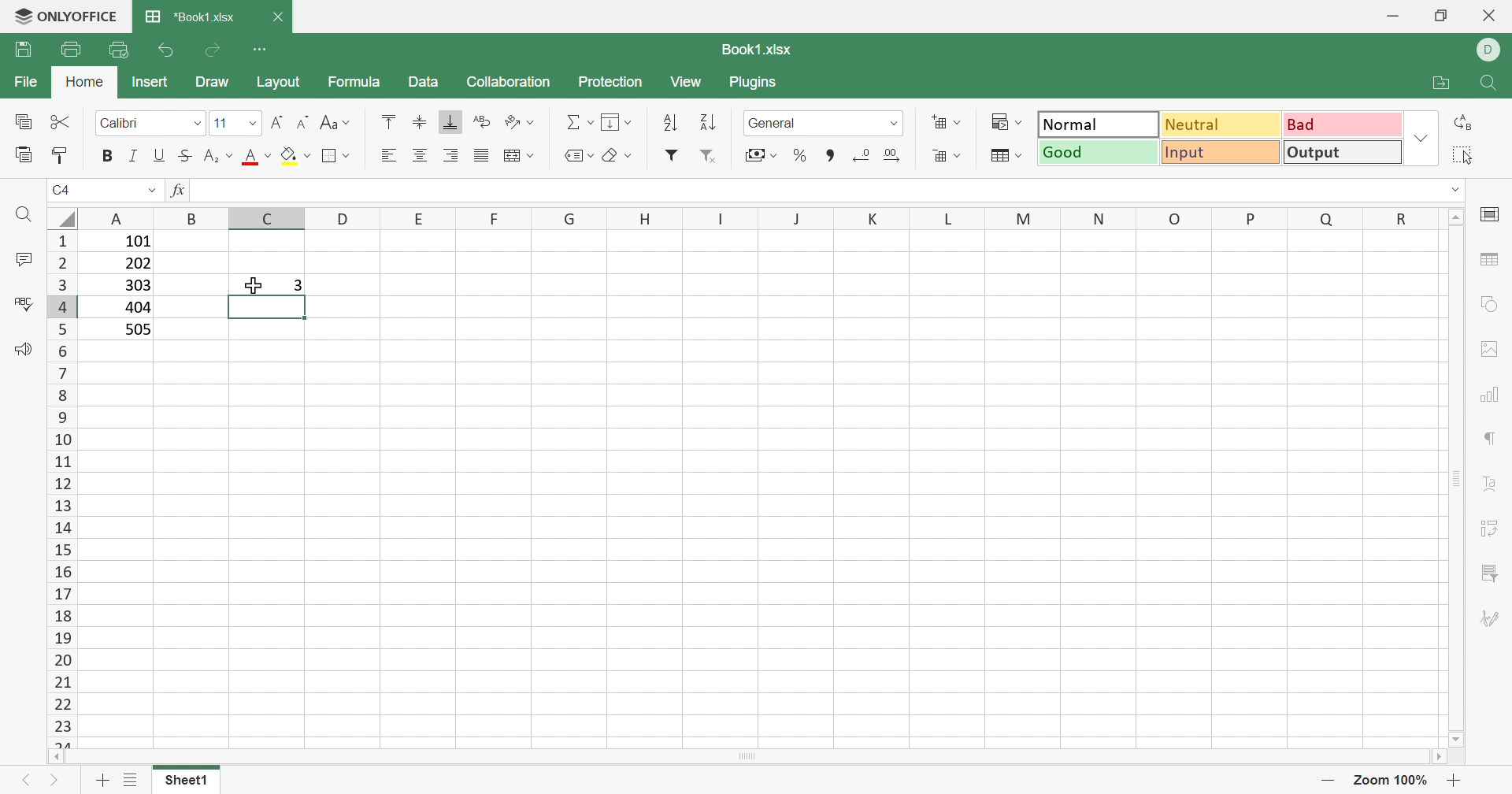 The height and width of the screenshot is (794, 1512). What do you see at coordinates (790, 123) in the screenshot?
I see `Number format` at bounding box center [790, 123].